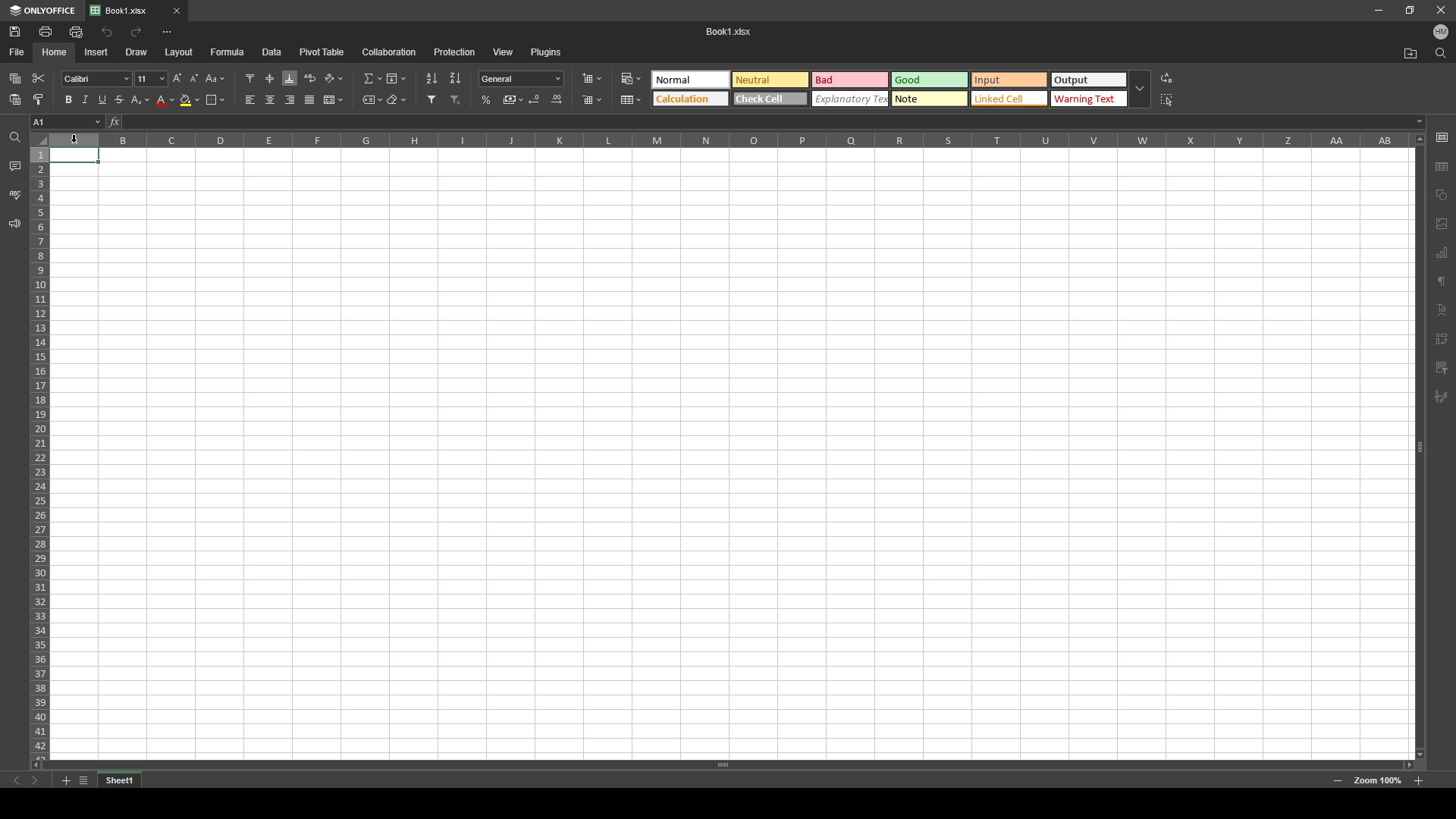 Image resolution: width=1456 pixels, height=819 pixels. Describe the element at coordinates (389, 52) in the screenshot. I see `collaboration` at that location.